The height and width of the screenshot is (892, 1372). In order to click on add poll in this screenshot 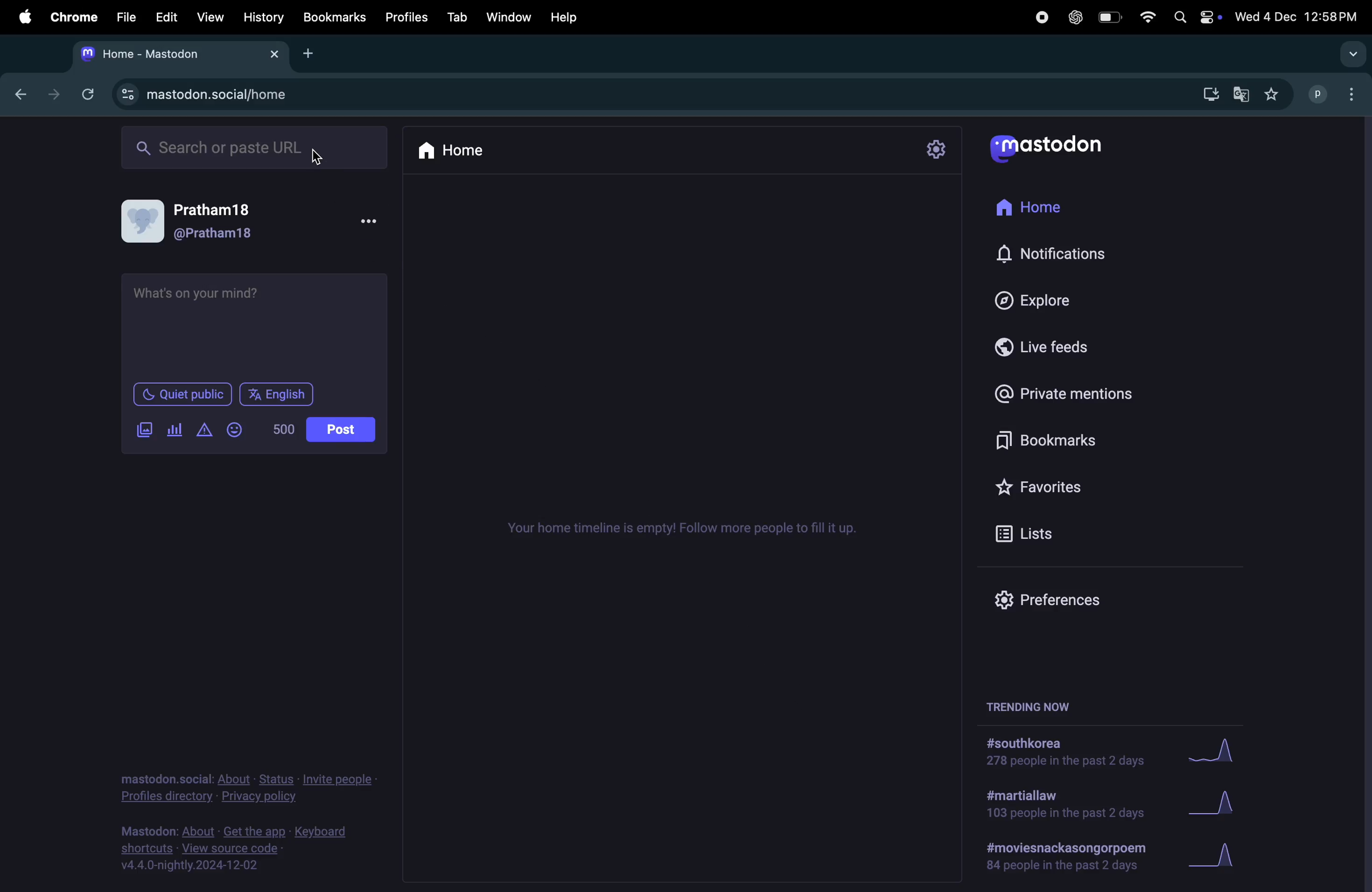, I will do `click(175, 430)`.